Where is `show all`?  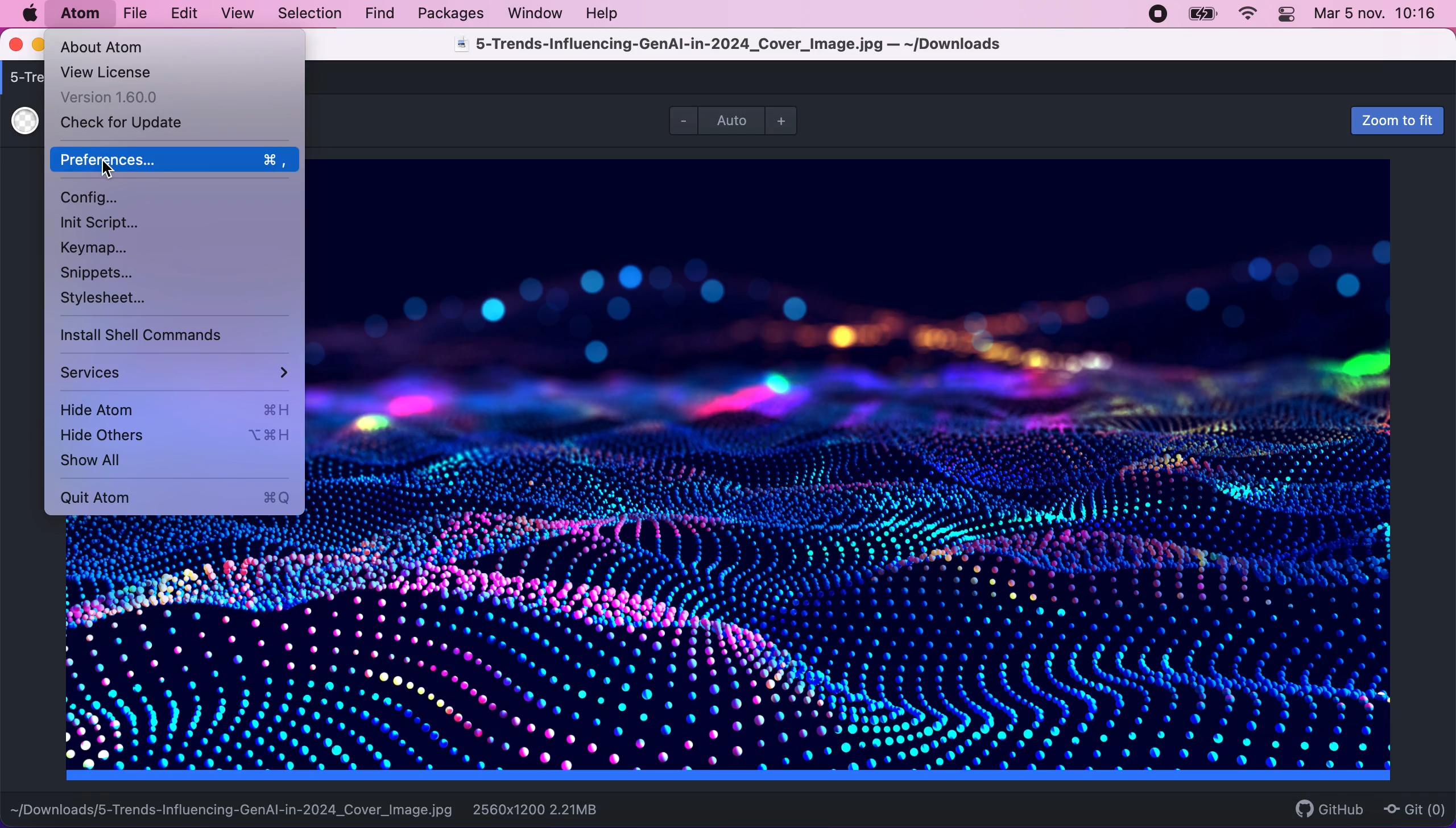 show all is located at coordinates (138, 462).